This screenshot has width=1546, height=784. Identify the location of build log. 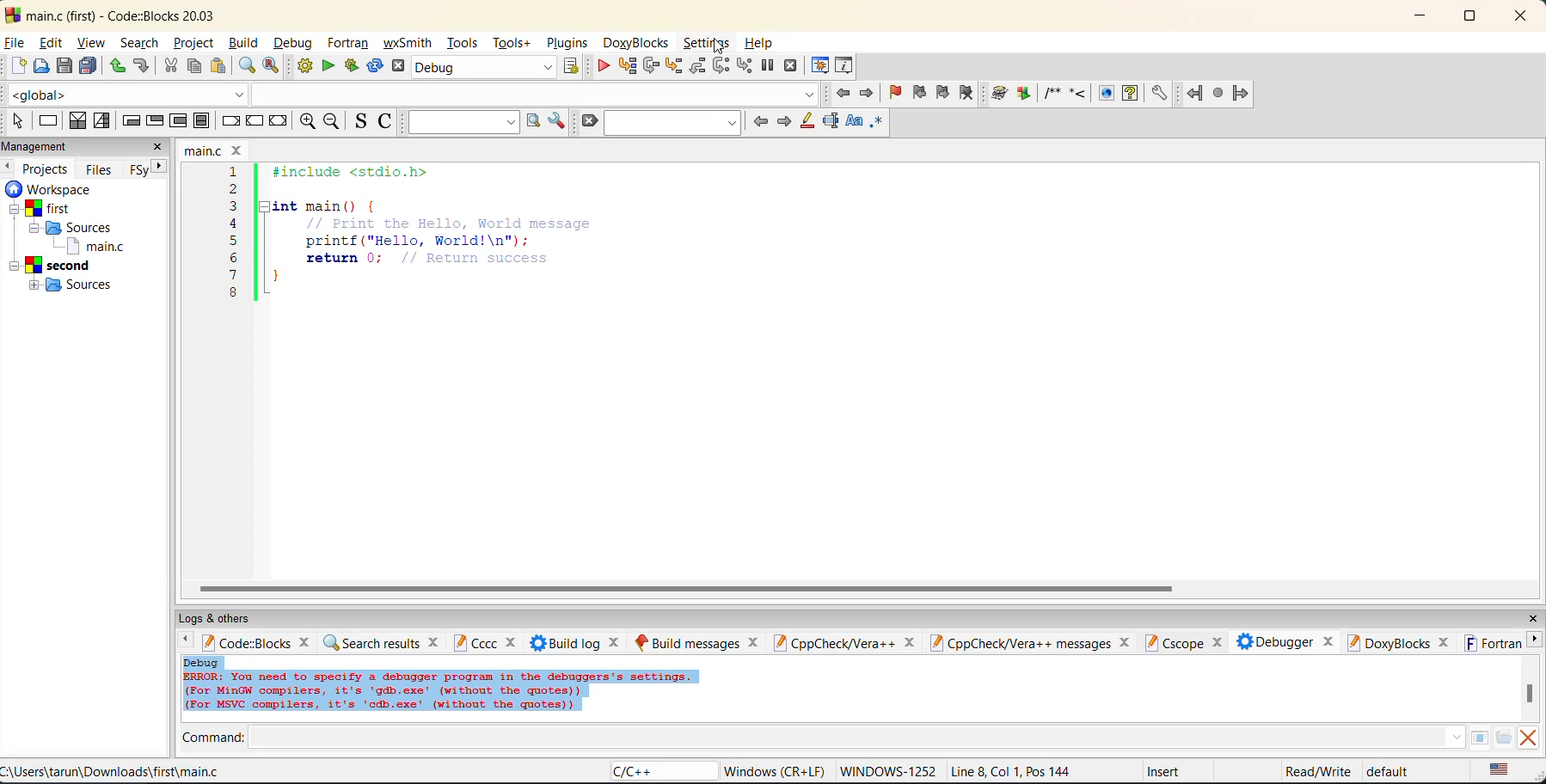
(575, 641).